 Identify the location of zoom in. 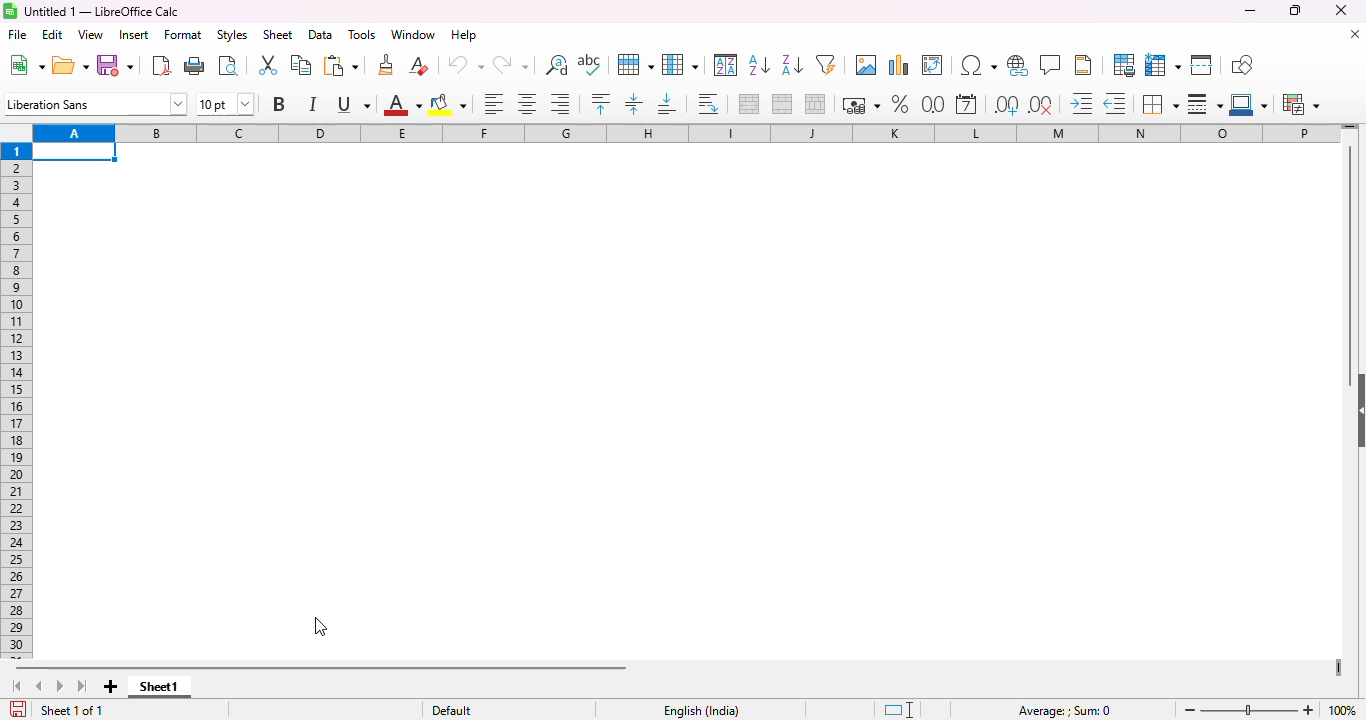
(1309, 709).